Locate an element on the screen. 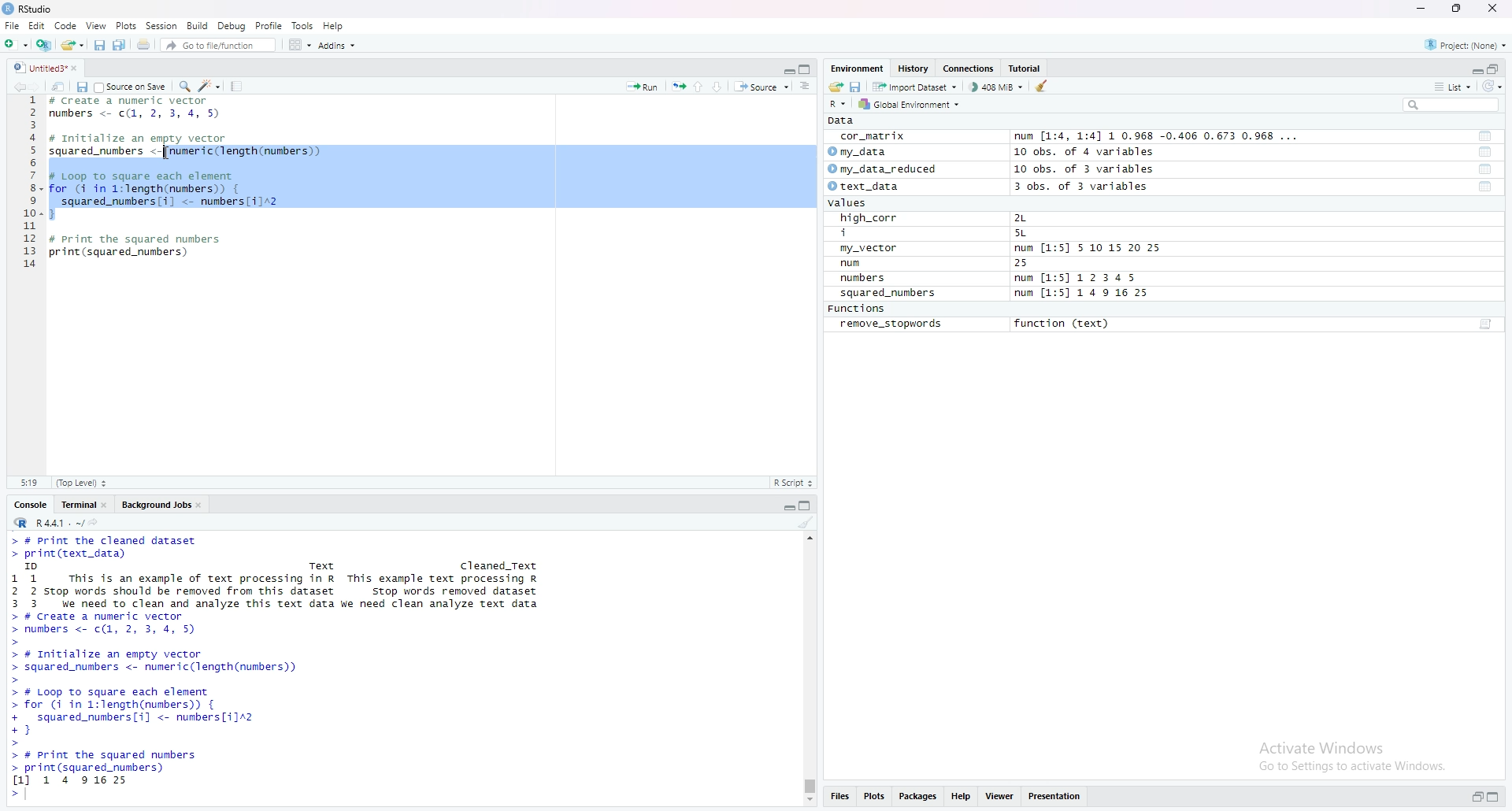 Image resolution: width=1512 pixels, height=811 pixels. Activate Windows
Go to Settings to activate Windows. is located at coordinates (1354, 754).